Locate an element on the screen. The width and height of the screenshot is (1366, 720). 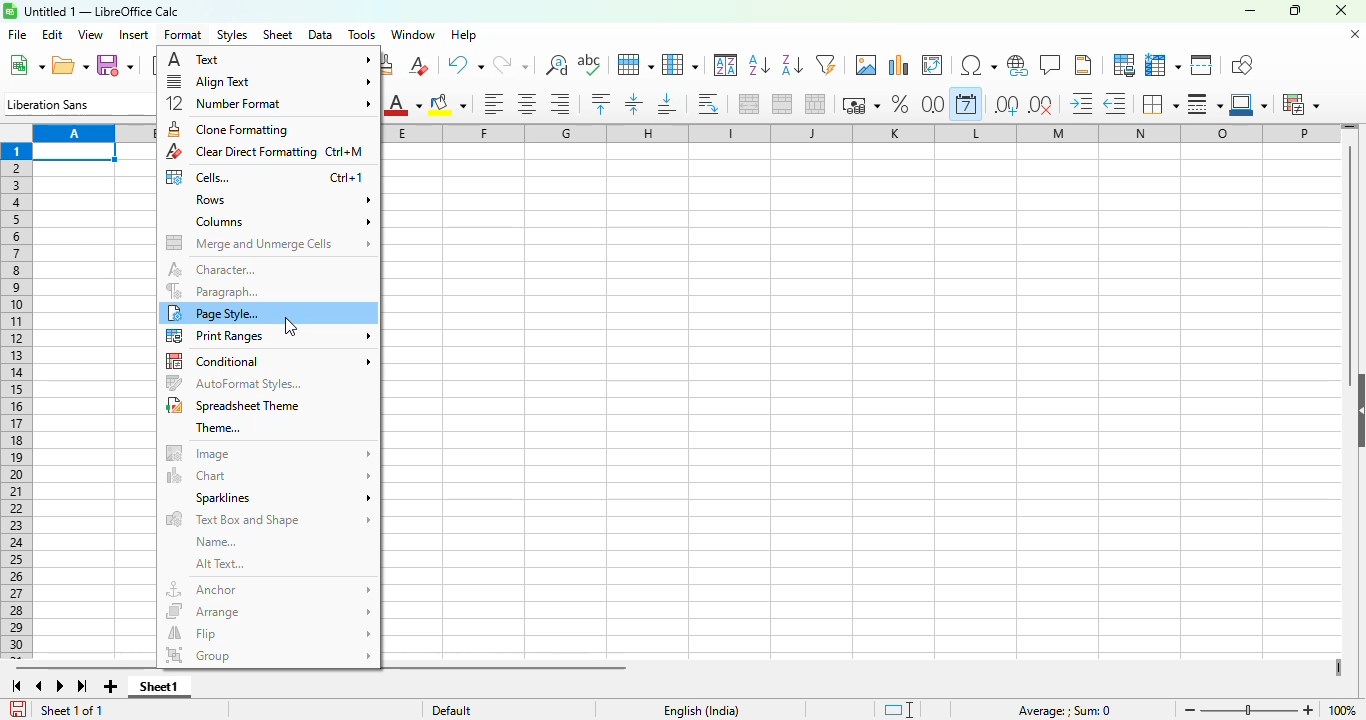
wrap text is located at coordinates (707, 104).